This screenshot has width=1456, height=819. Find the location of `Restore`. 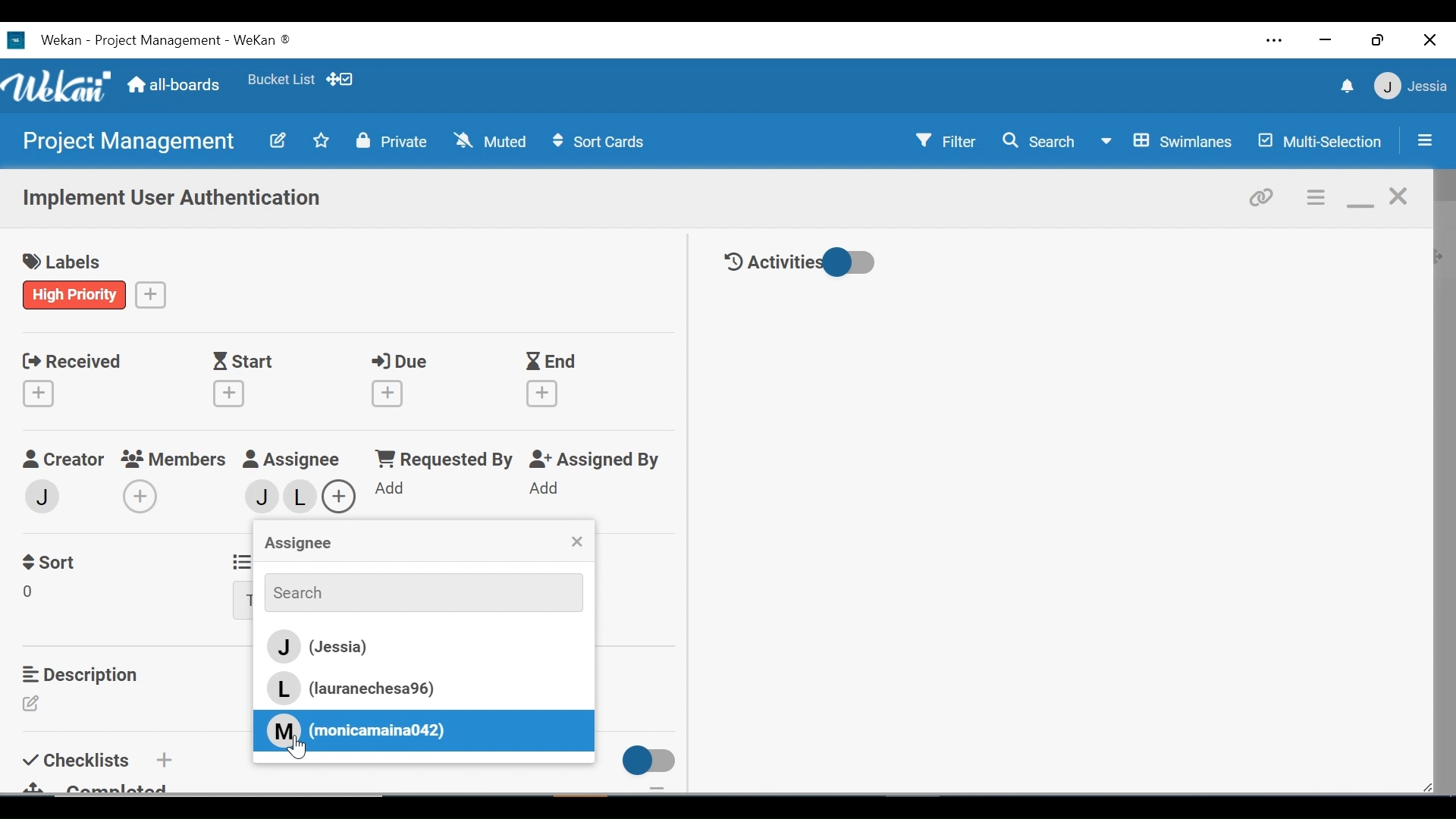

Restore is located at coordinates (1379, 39).